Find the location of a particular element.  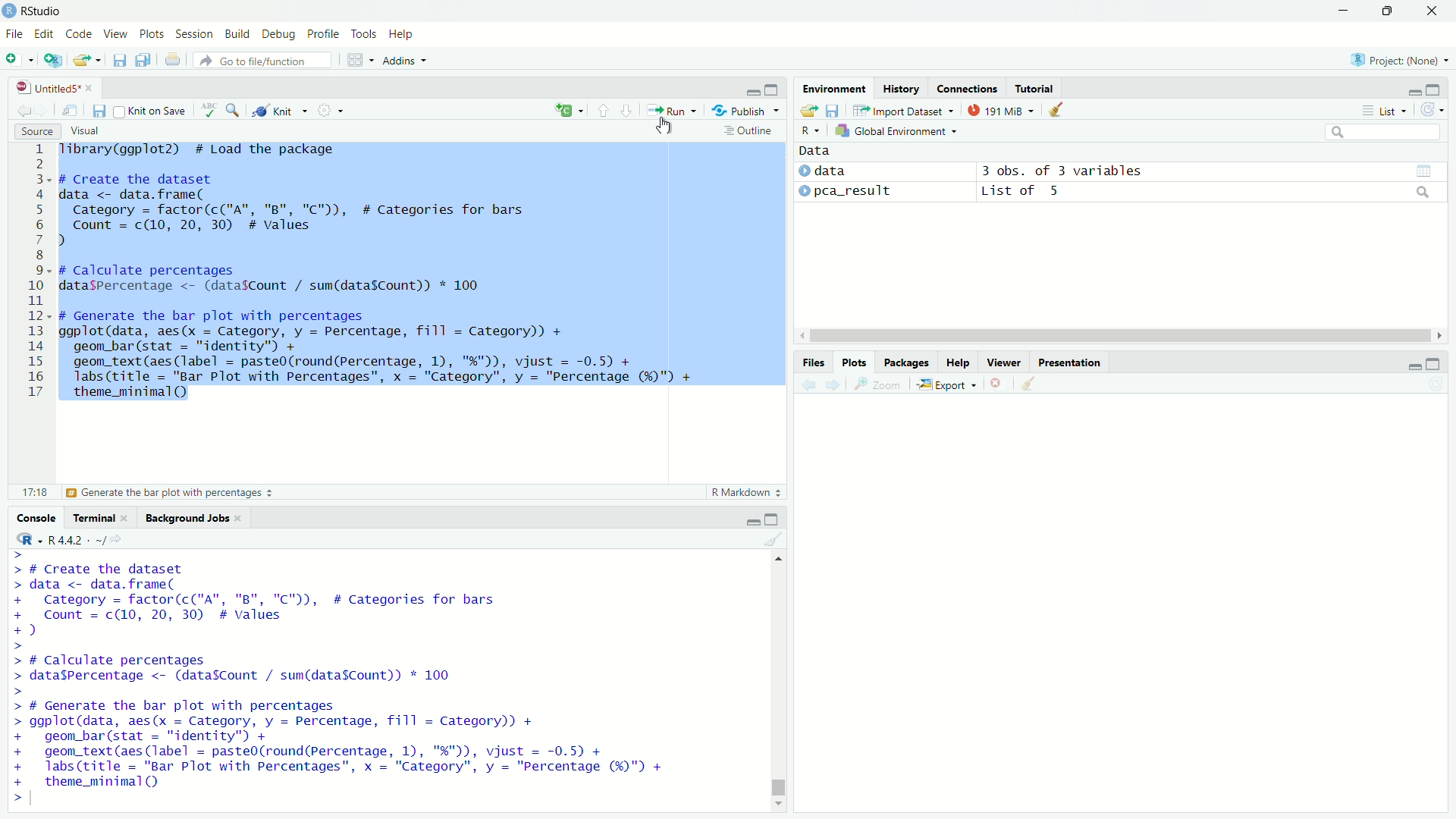

search is located at coordinates (1382, 131).